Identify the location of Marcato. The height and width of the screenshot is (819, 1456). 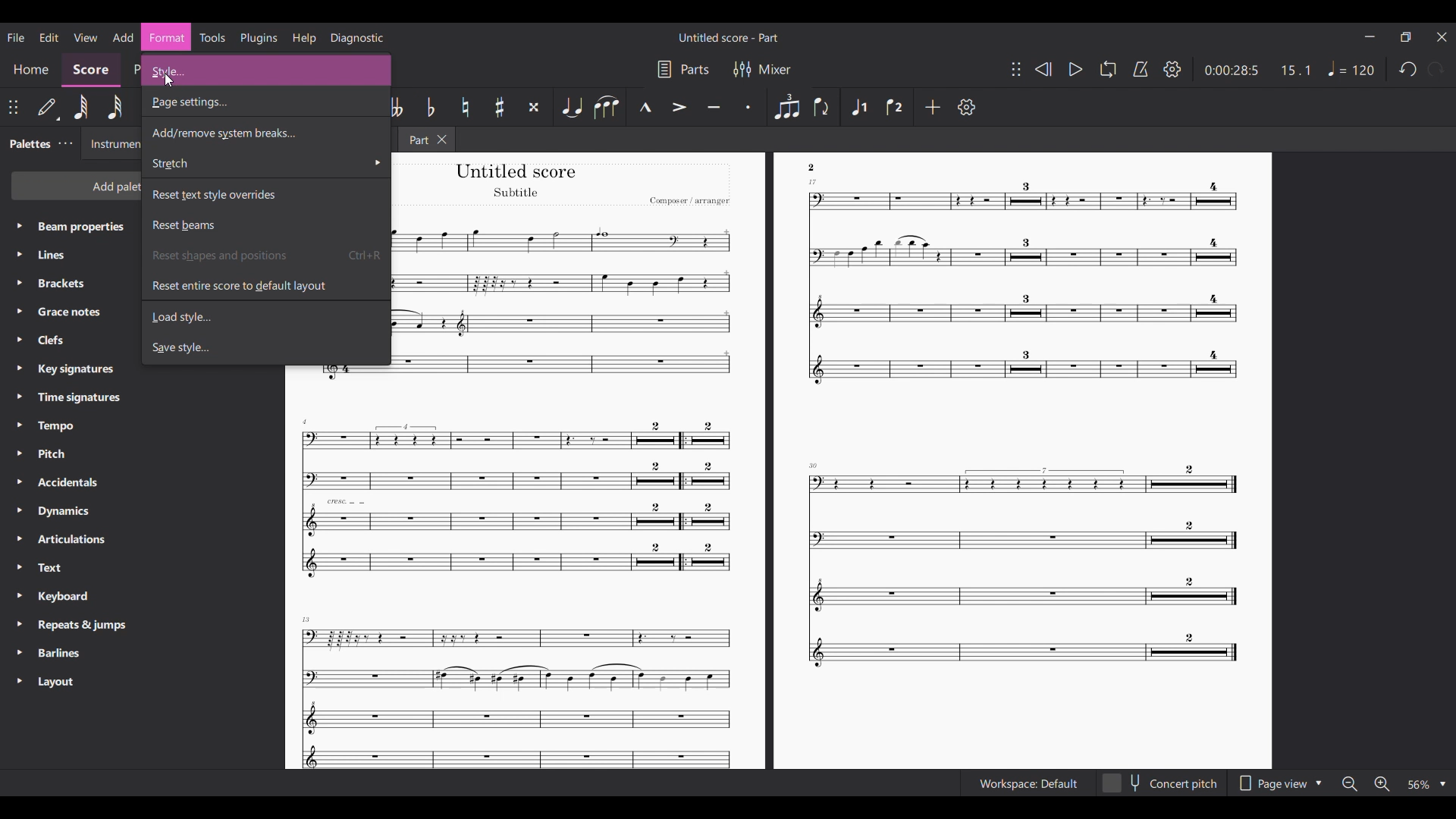
(644, 106).